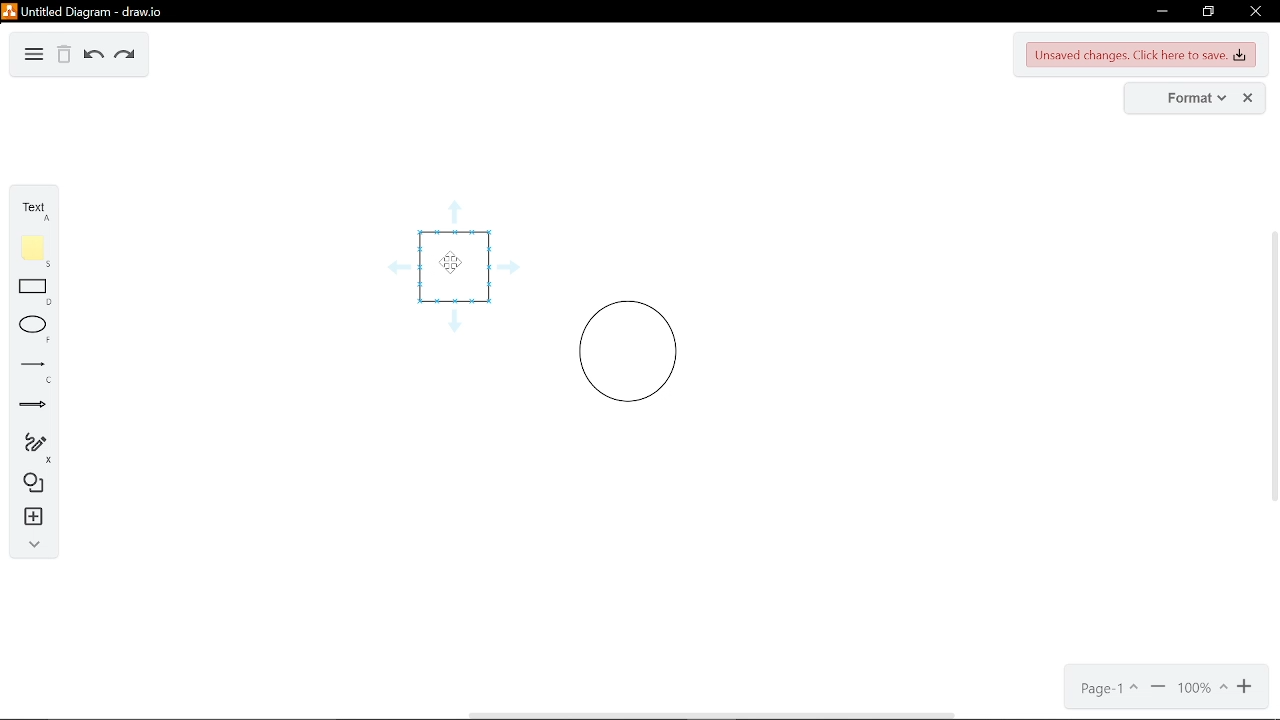 Image resolution: width=1280 pixels, height=720 pixels. What do you see at coordinates (34, 293) in the screenshot?
I see `rectangle` at bounding box center [34, 293].